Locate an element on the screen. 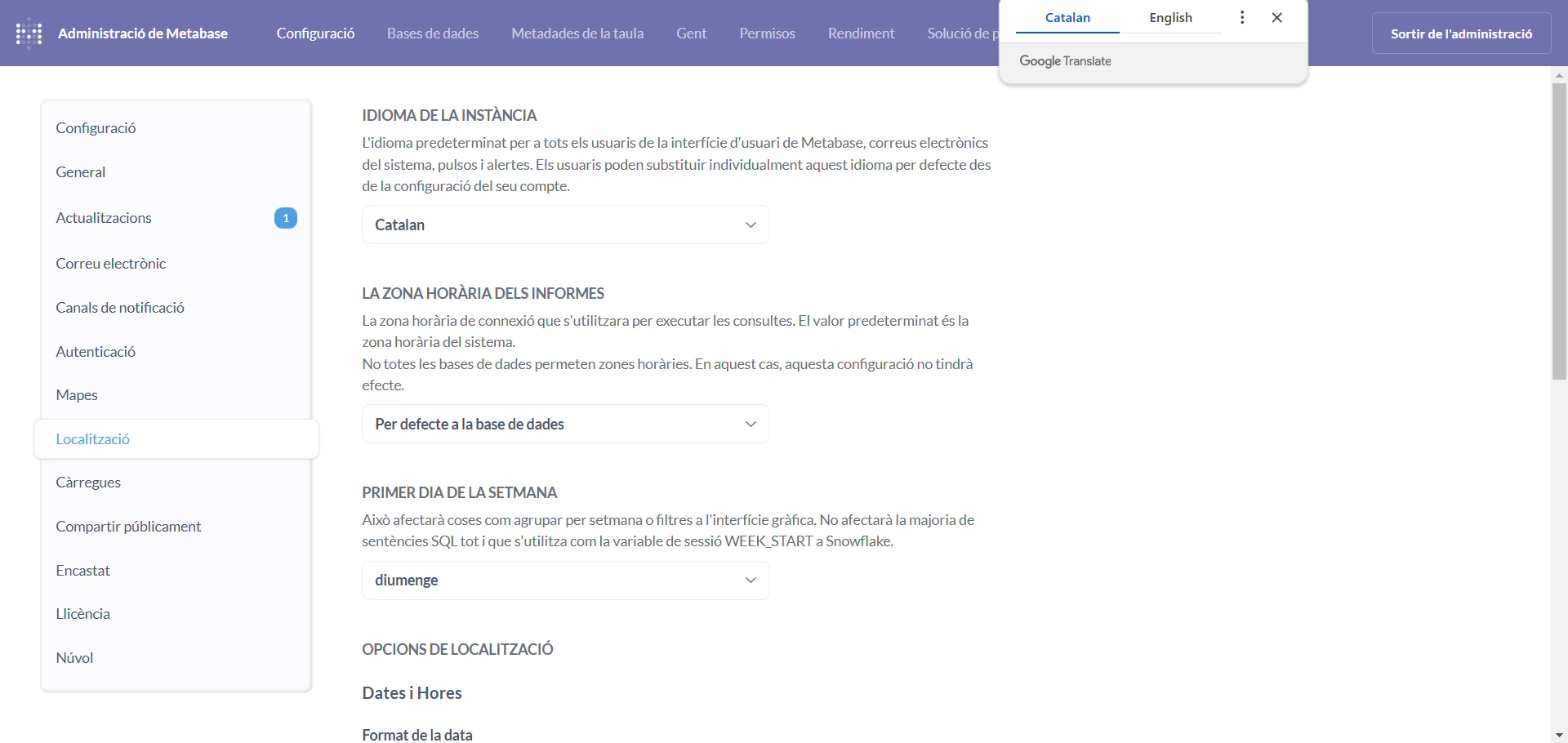 This screenshot has height=743, width=1568. Sortir de I'administracié is located at coordinates (1465, 33).